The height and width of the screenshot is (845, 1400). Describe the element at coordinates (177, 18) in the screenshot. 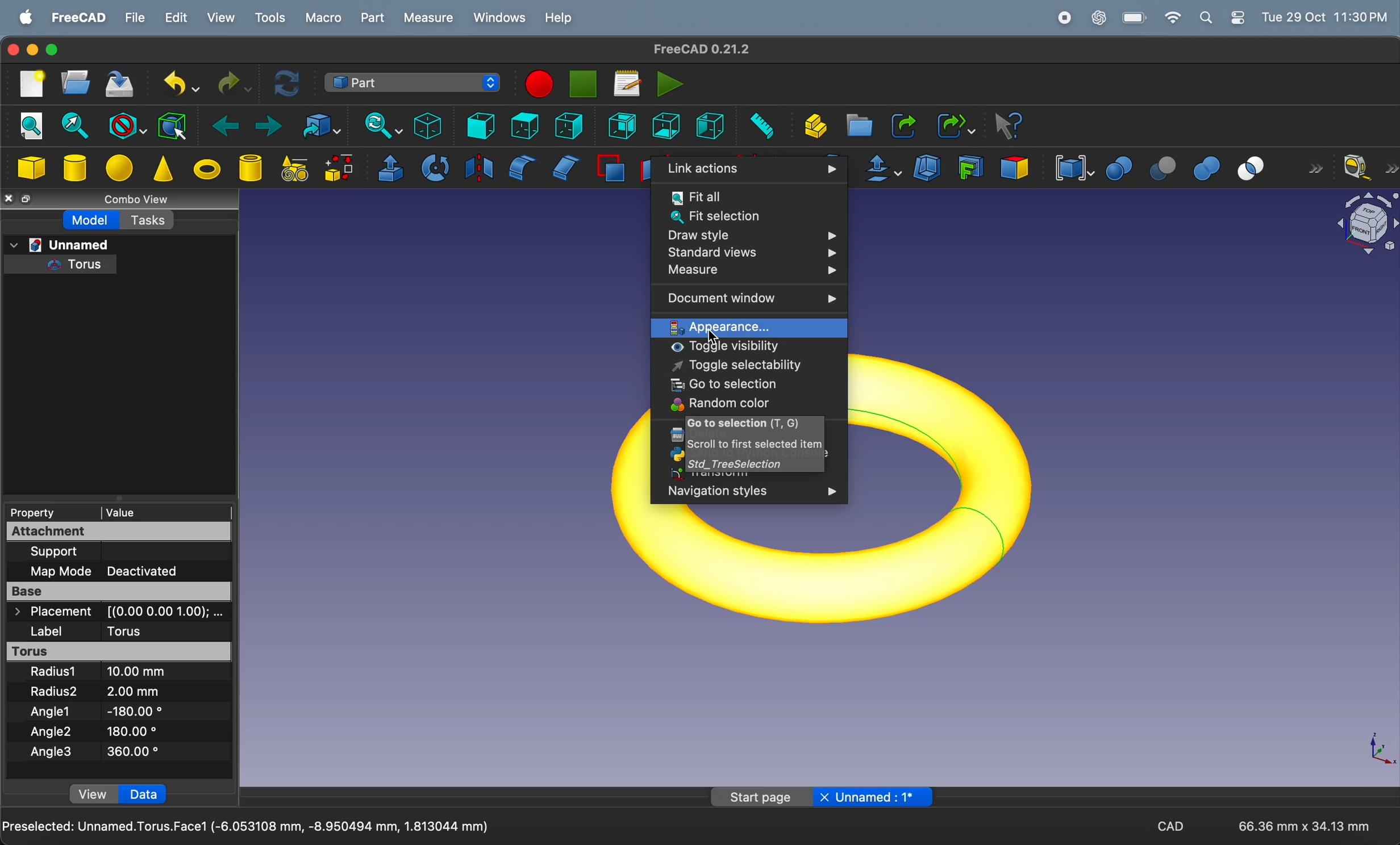

I see `edit` at that location.